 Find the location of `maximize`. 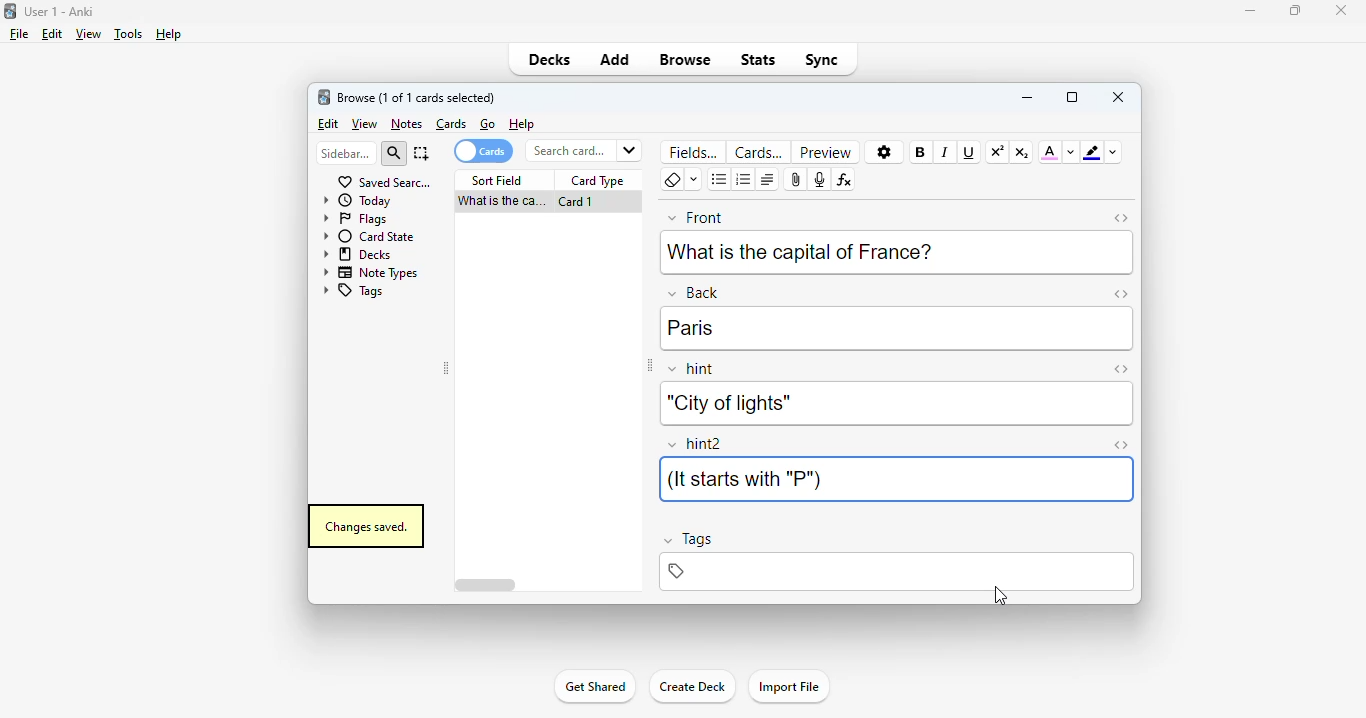

maximize is located at coordinates (1295, 9).